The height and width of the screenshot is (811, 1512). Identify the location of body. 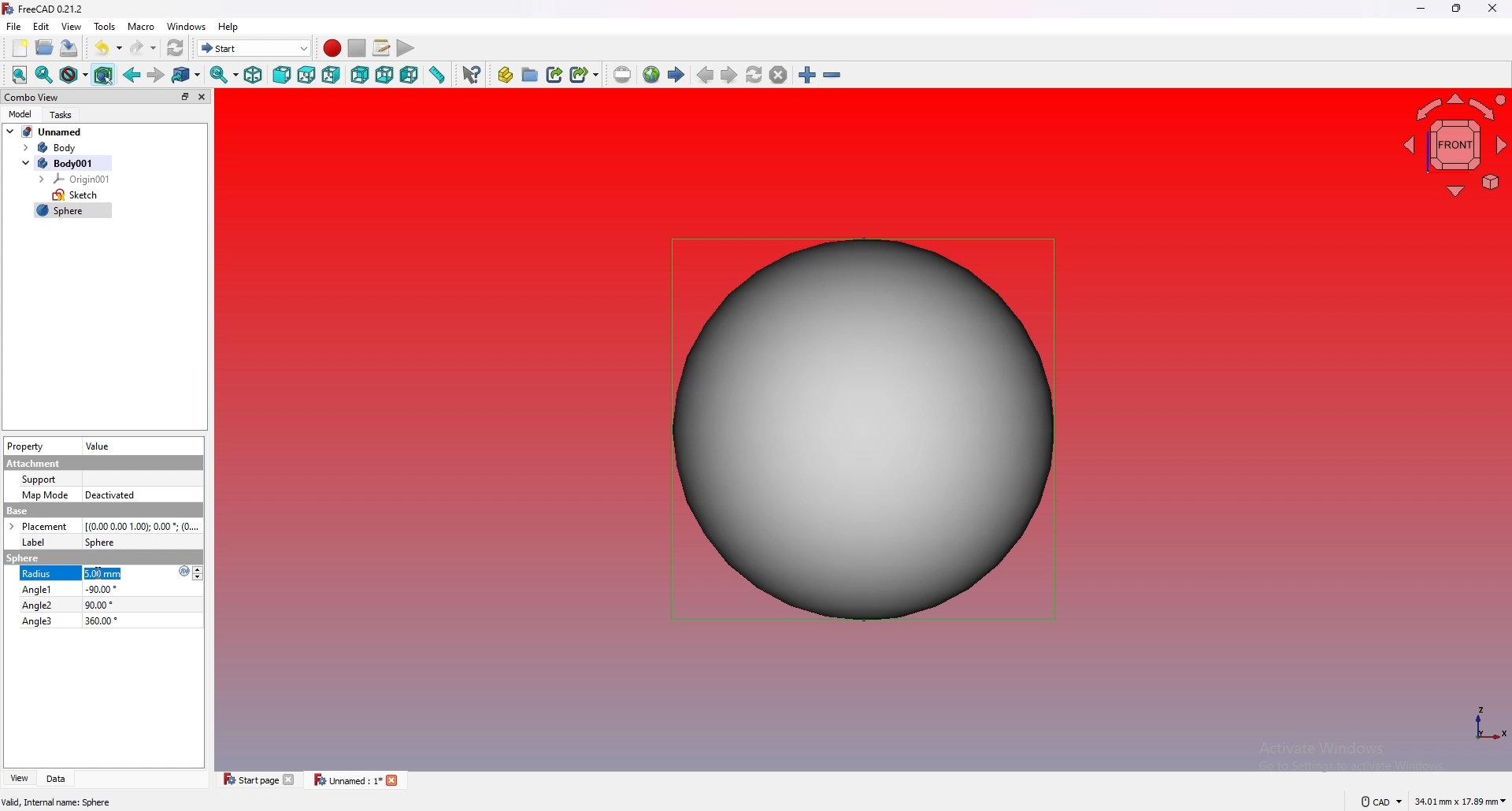
(61, 148).